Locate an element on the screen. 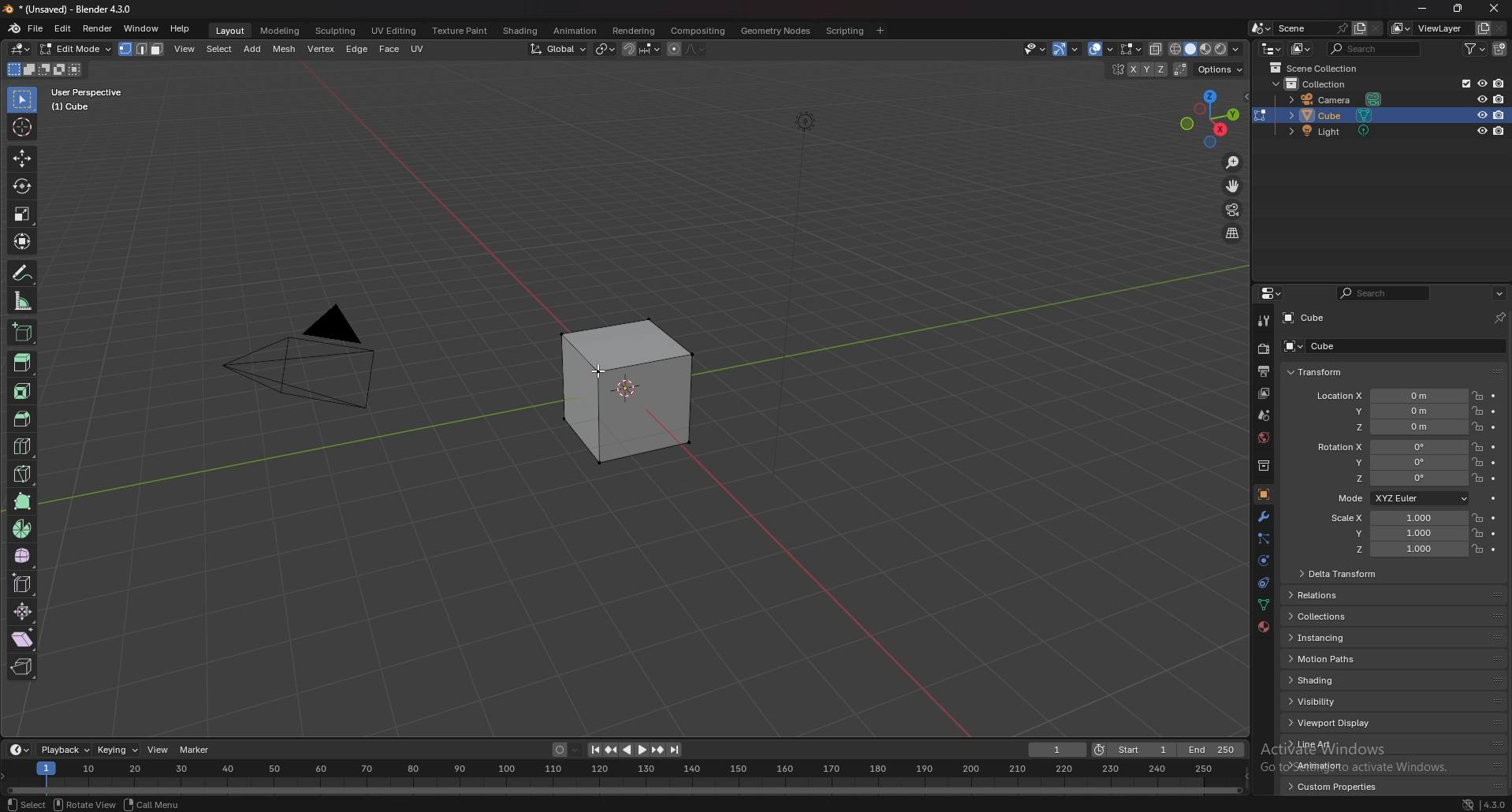  animate property is located at coordinates (1495, 396).